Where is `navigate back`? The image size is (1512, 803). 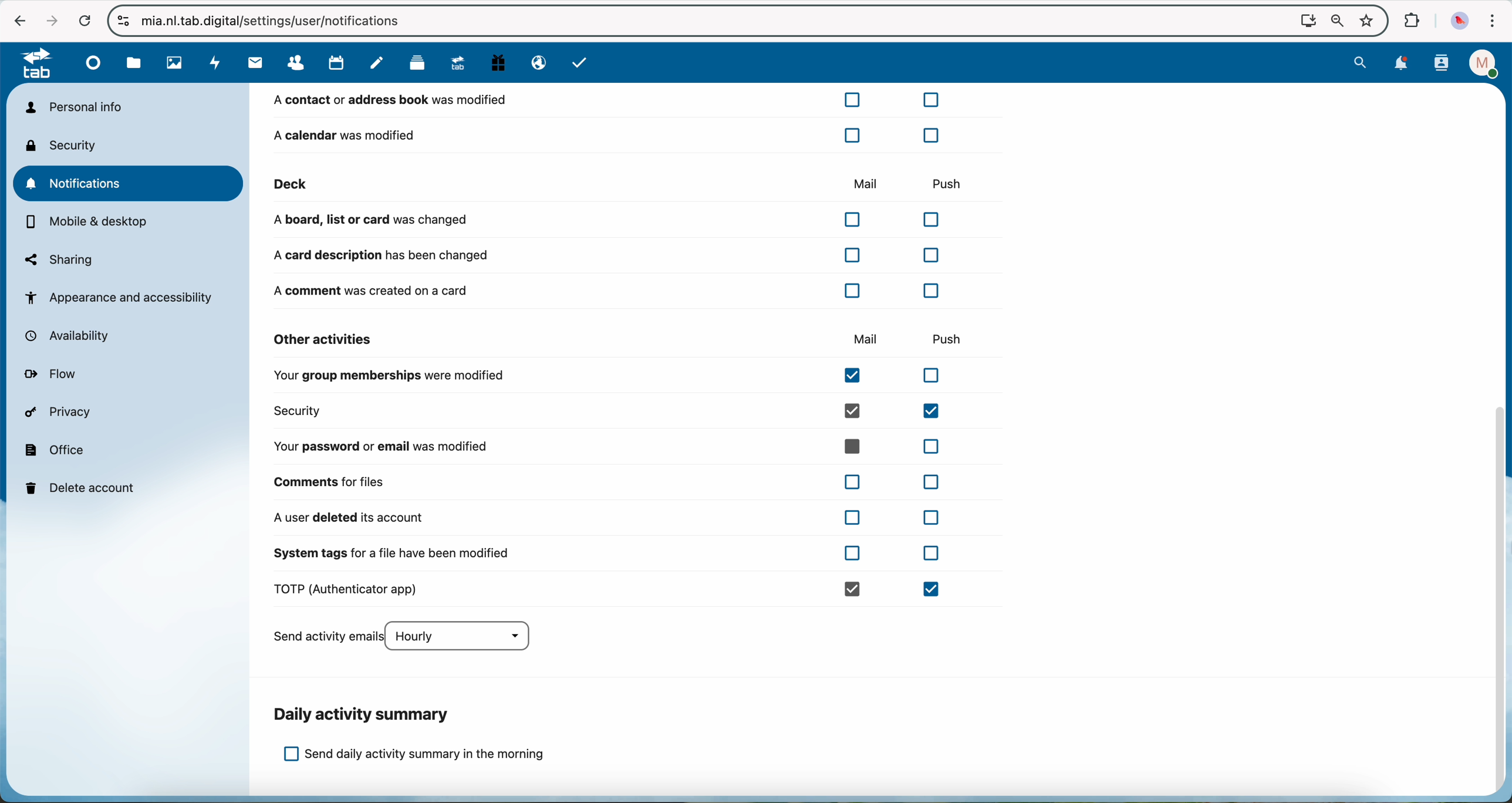
navigate back is located at coordinates (17, 20).